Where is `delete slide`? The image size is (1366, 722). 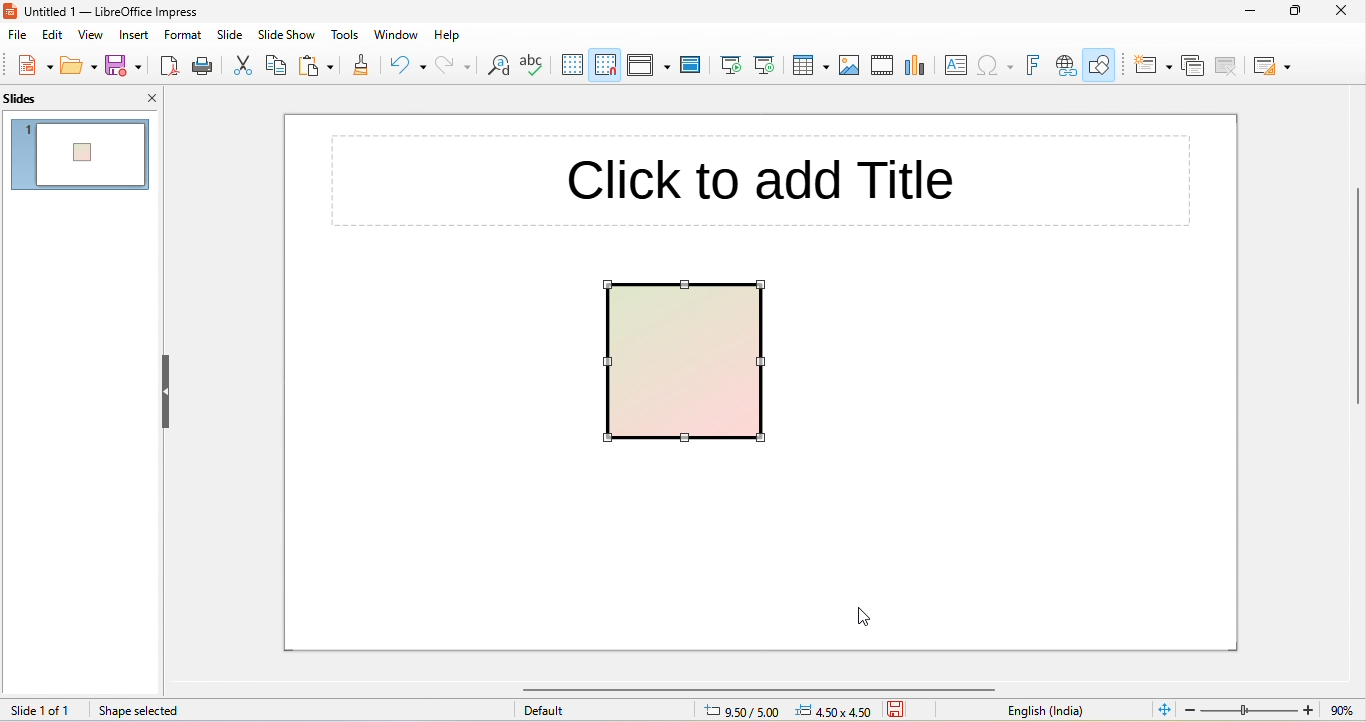
delete slide is located at coordinates (1226, 65).